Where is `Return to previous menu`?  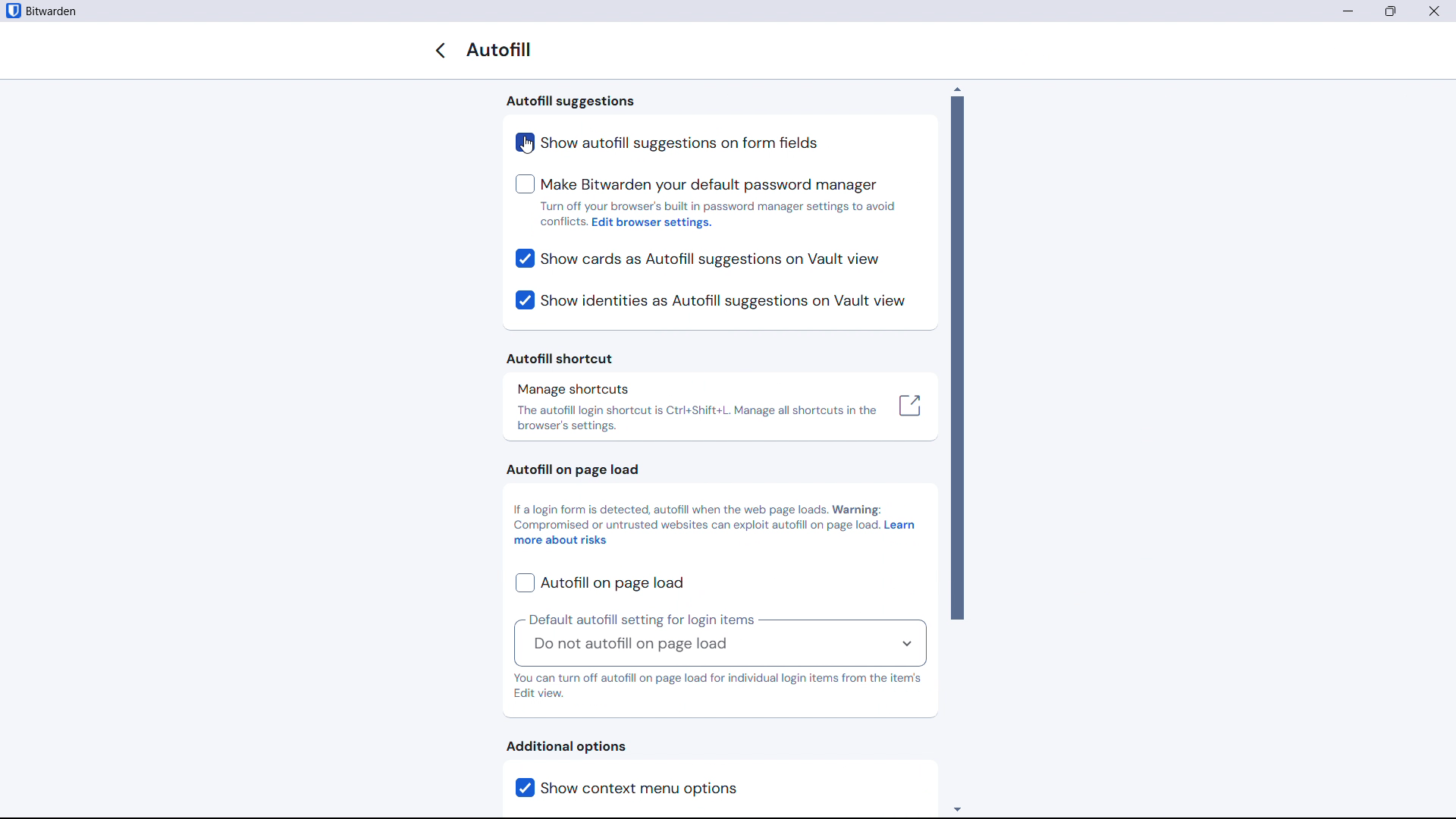 Return to previous menu is located at coordinates (440, 50).